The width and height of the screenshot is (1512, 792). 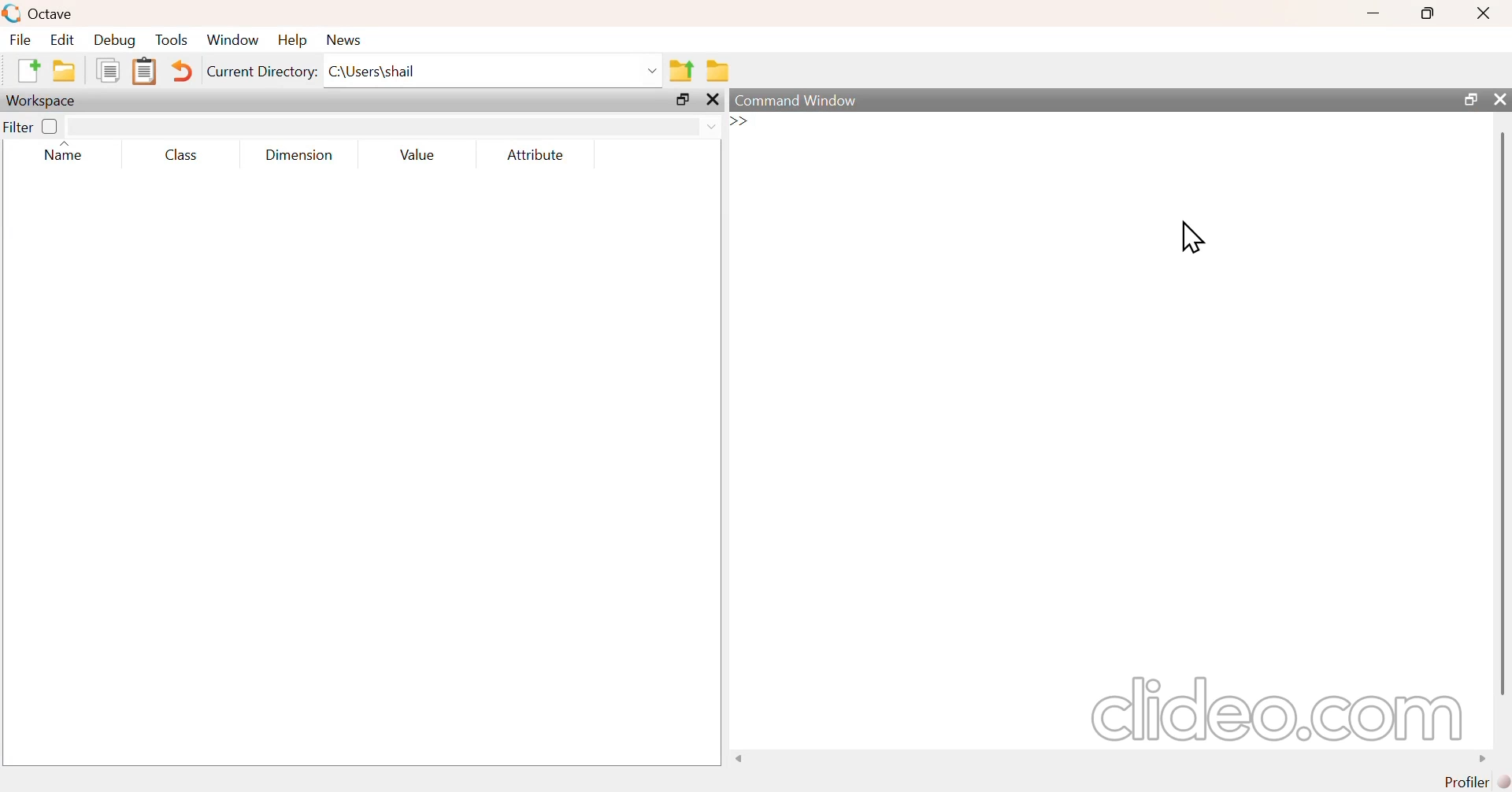 What do you see at coordinates (677, 99) in the screenshot?
I see `maximize` at bounding box center [677, 99].